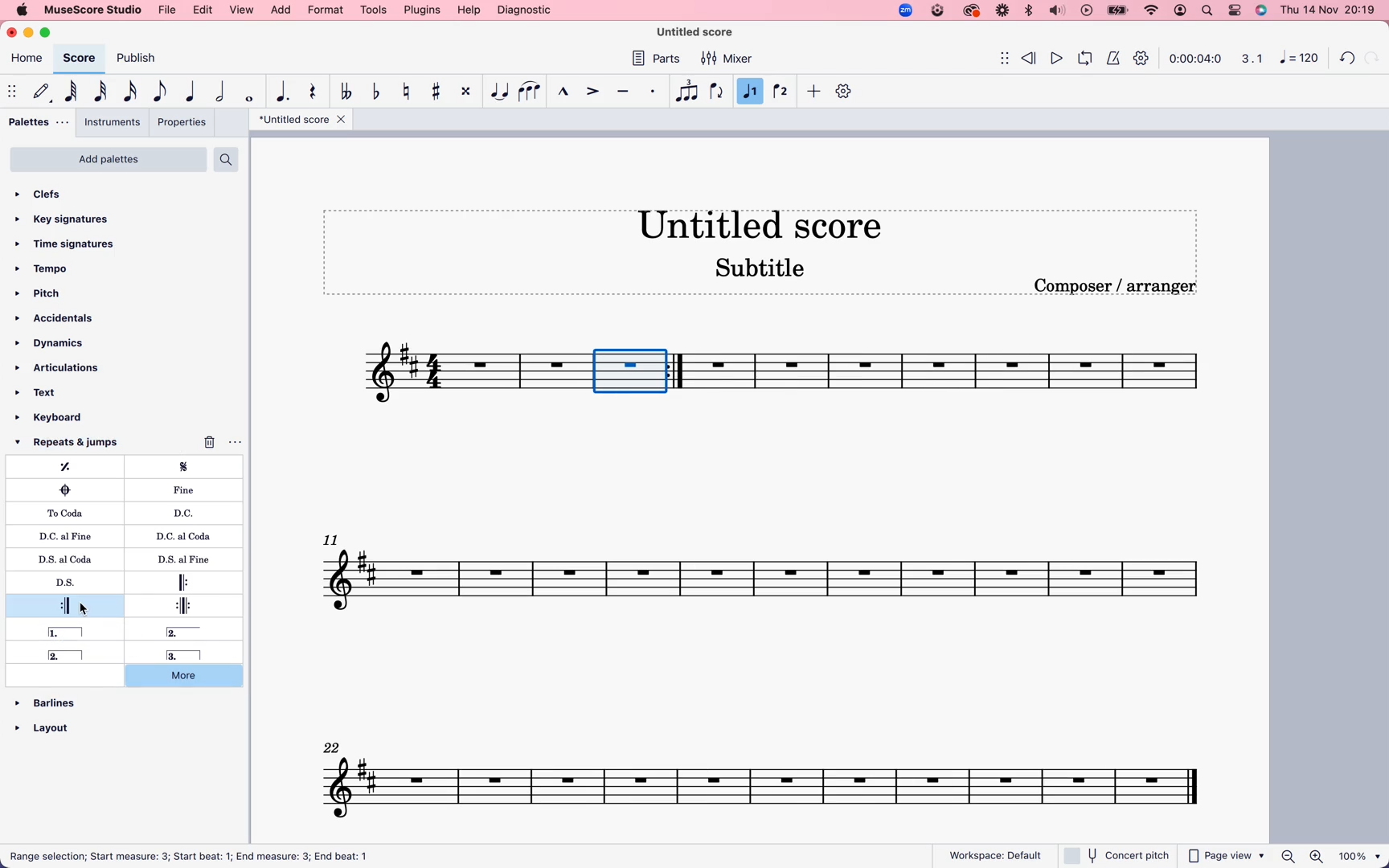  I want to click on tenuto, so click(626, 92).